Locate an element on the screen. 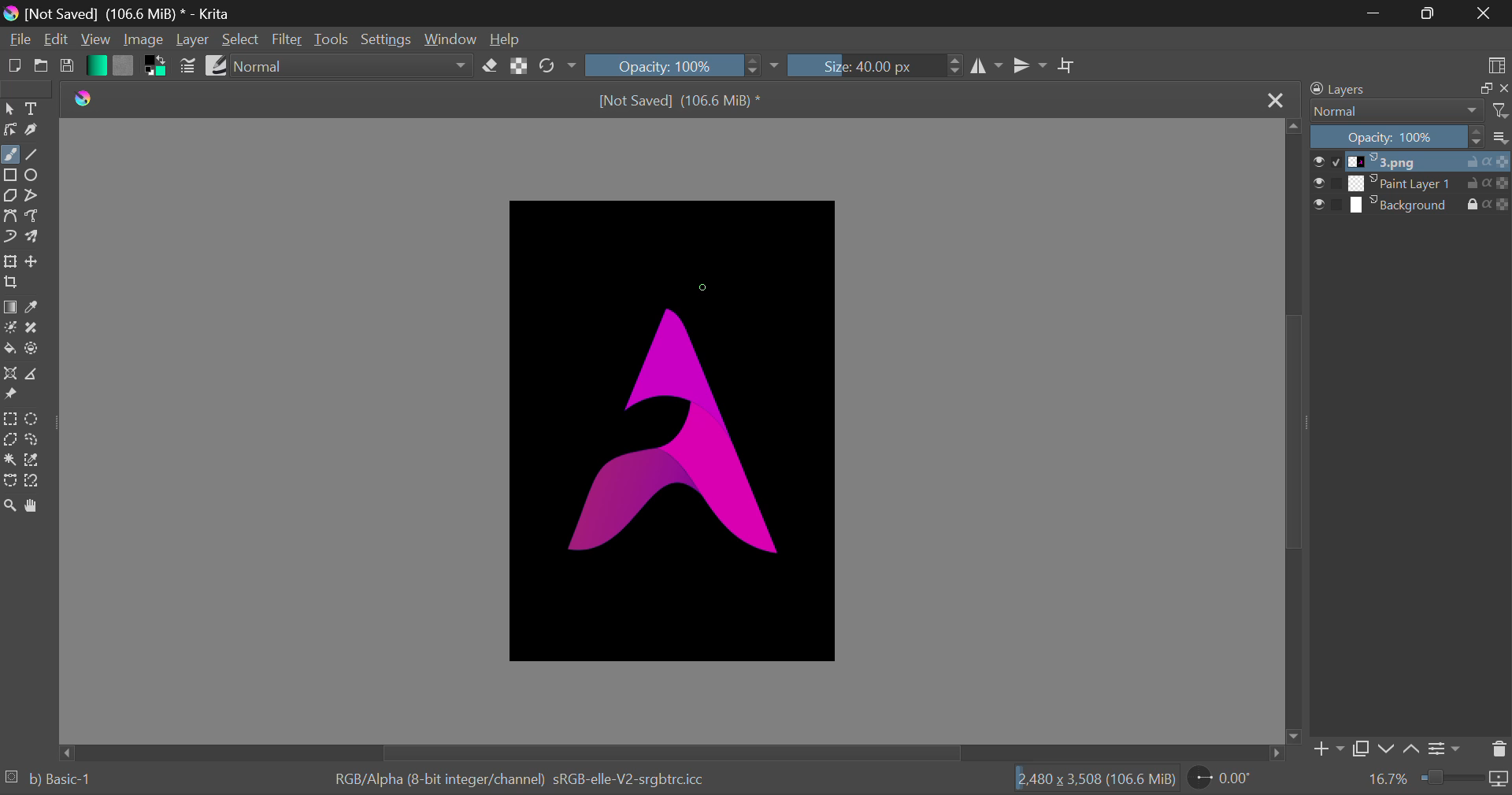 The image size is (1512, 795). Polylines is located at coordinates (32, 198).